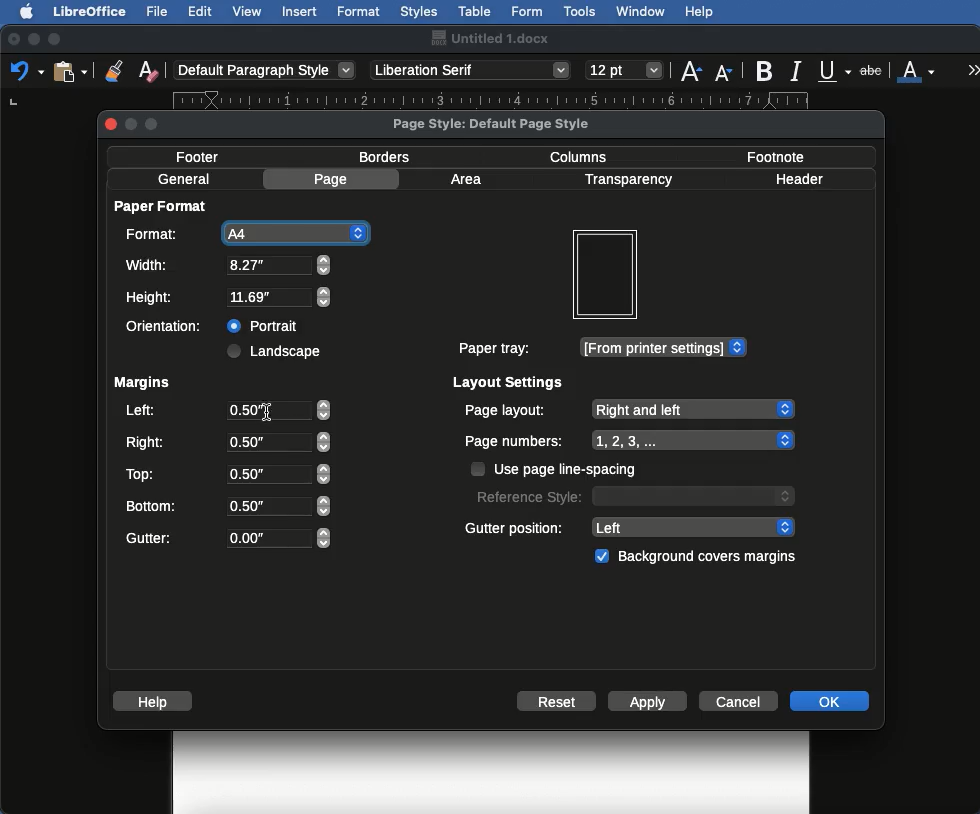 This screenshot has width=980, height=814. I want to click on Page, so click(334, 179).